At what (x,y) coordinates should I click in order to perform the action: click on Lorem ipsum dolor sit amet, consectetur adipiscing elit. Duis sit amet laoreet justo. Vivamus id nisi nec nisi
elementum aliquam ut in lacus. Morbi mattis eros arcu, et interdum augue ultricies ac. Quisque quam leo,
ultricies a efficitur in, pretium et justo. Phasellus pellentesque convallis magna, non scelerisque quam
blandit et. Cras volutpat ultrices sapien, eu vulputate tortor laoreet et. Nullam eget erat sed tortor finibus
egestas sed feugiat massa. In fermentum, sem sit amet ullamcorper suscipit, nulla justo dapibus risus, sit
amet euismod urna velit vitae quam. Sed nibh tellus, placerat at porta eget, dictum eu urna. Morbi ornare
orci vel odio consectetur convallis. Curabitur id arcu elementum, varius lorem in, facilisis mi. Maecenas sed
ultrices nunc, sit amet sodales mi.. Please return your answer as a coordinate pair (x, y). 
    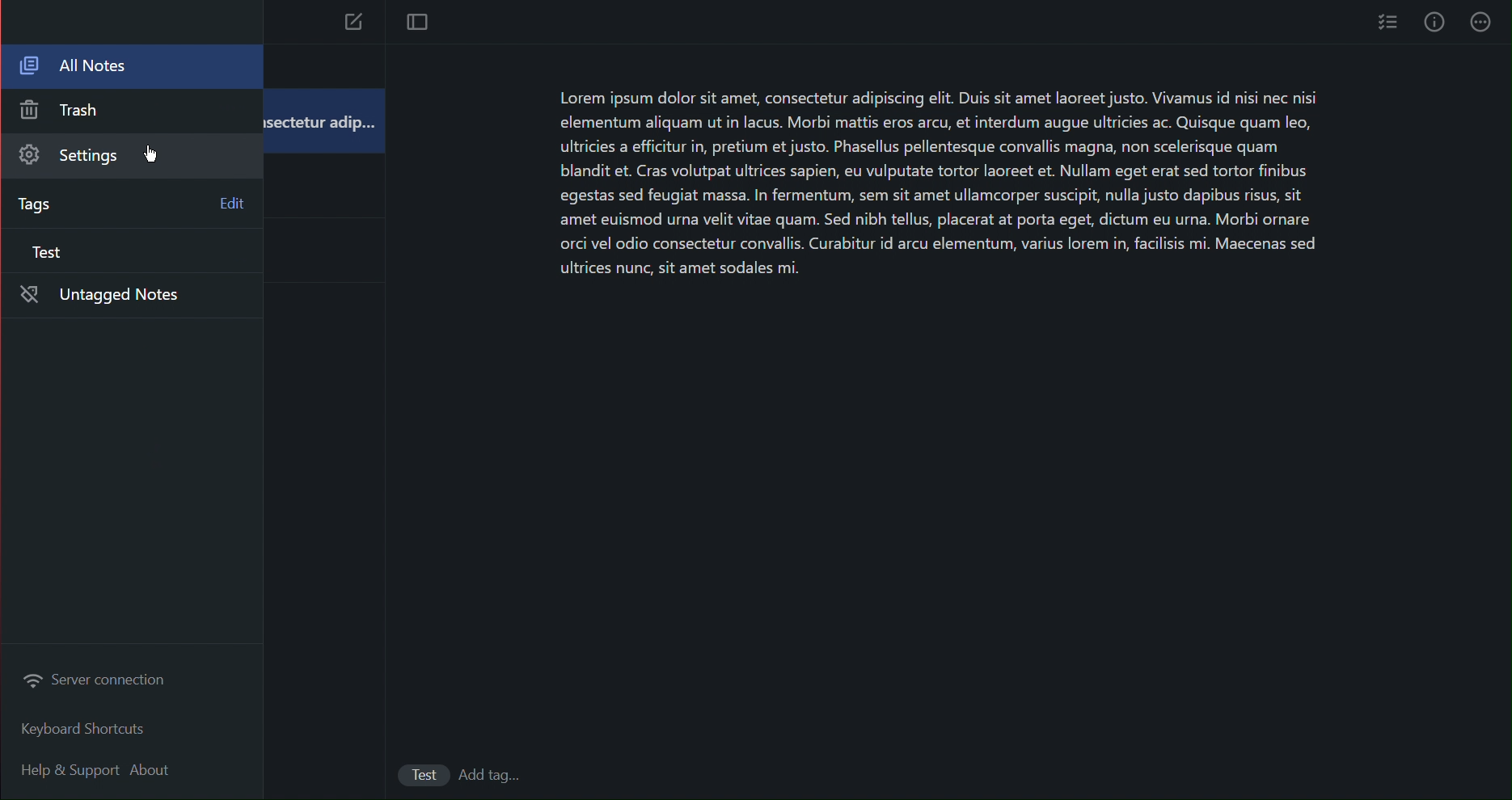
    Looking at the image, I should click on (928, 187).